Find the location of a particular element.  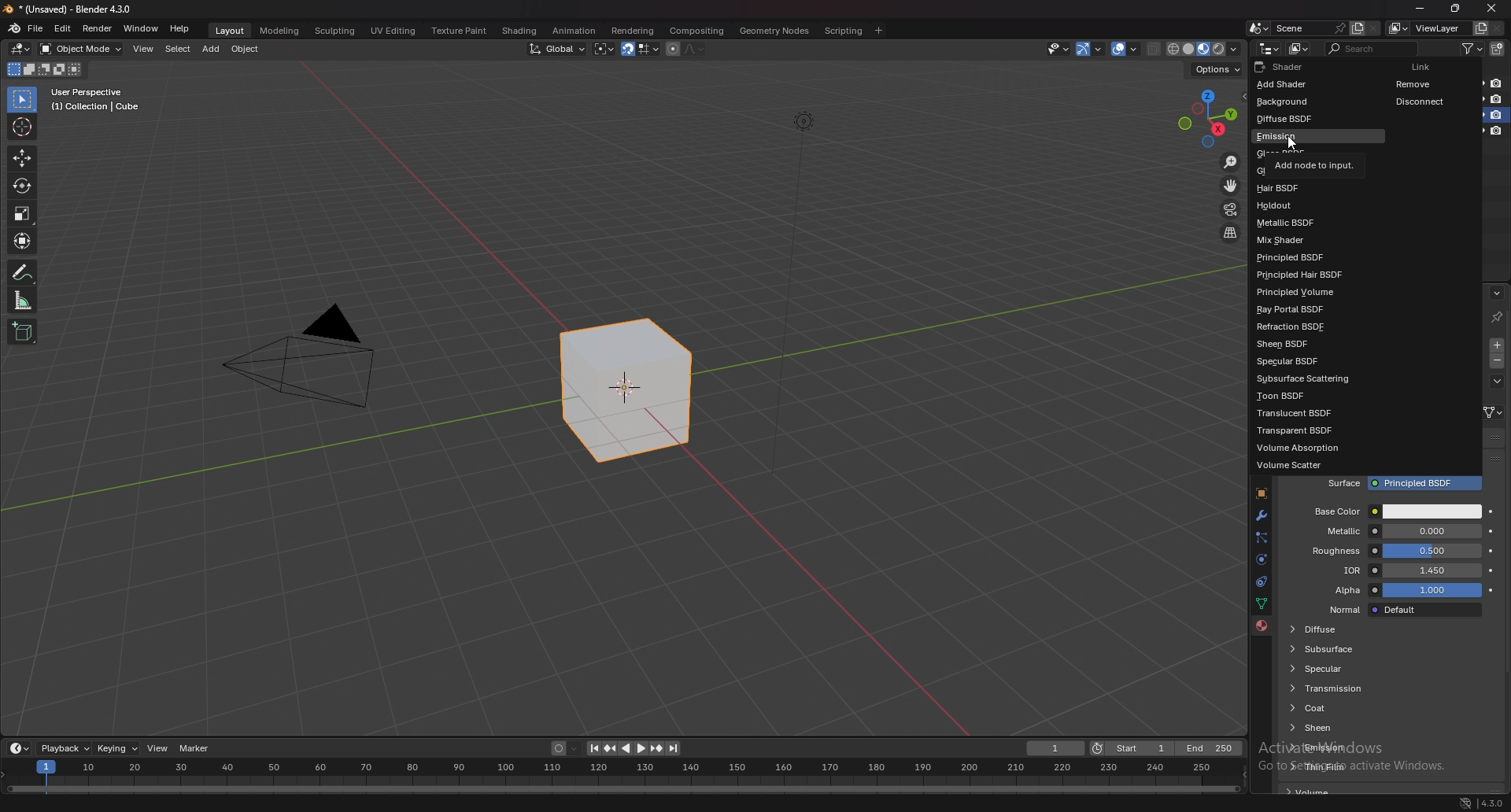

object mode is located at coordinates (82, 48).